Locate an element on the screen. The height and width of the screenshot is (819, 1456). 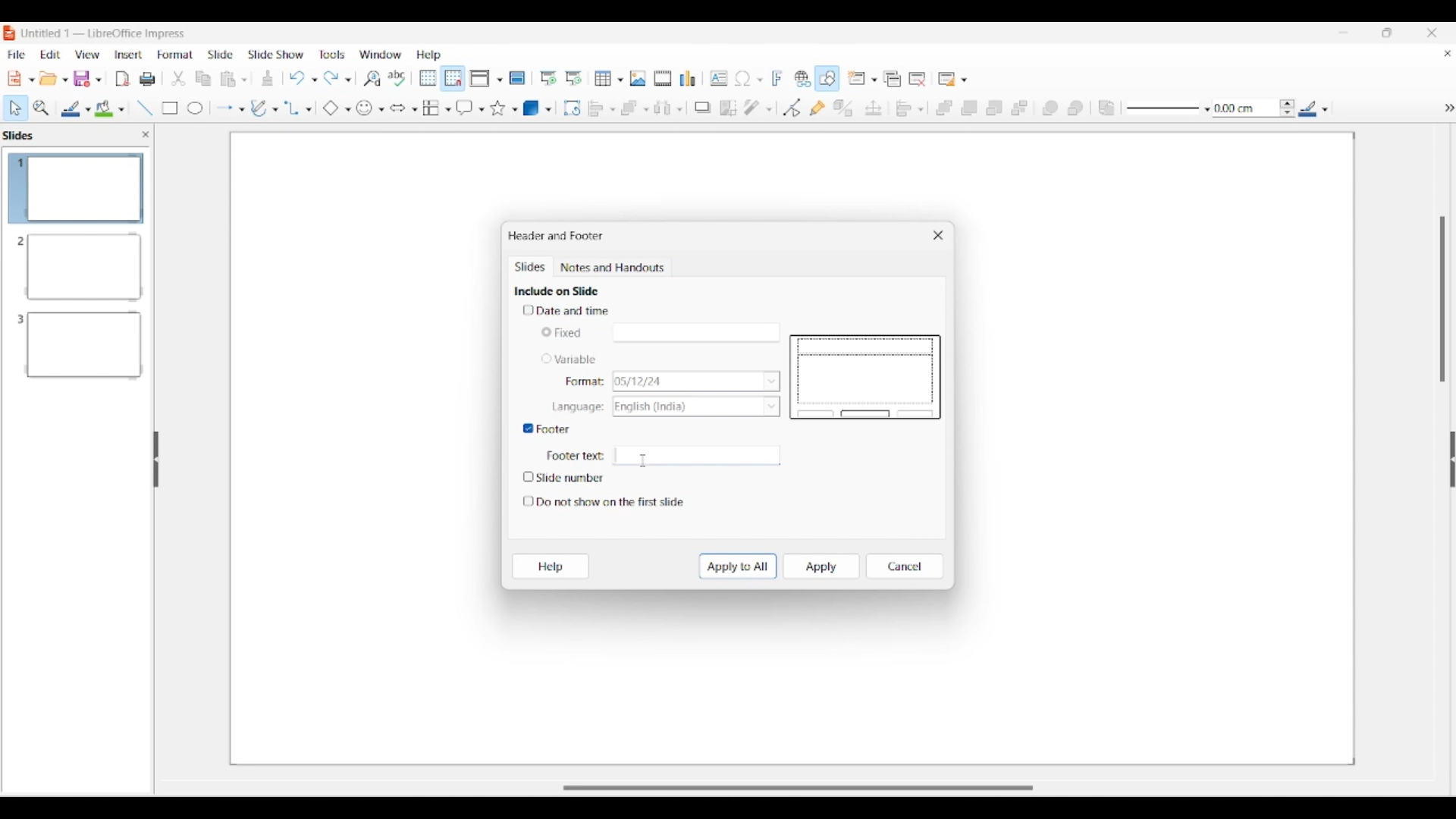
Filter options is located at coordinates (758, 108).